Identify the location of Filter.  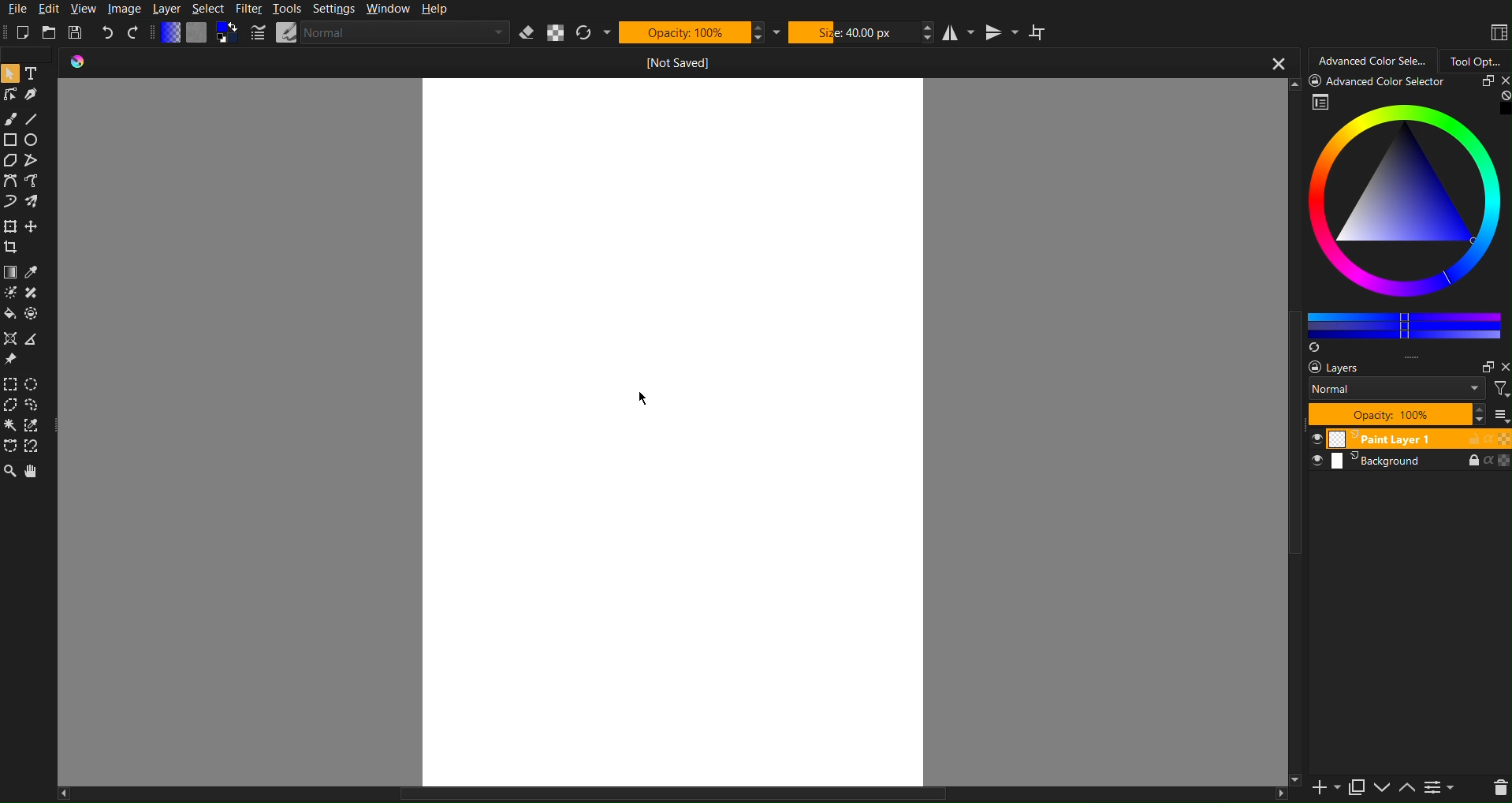
(248, 9).